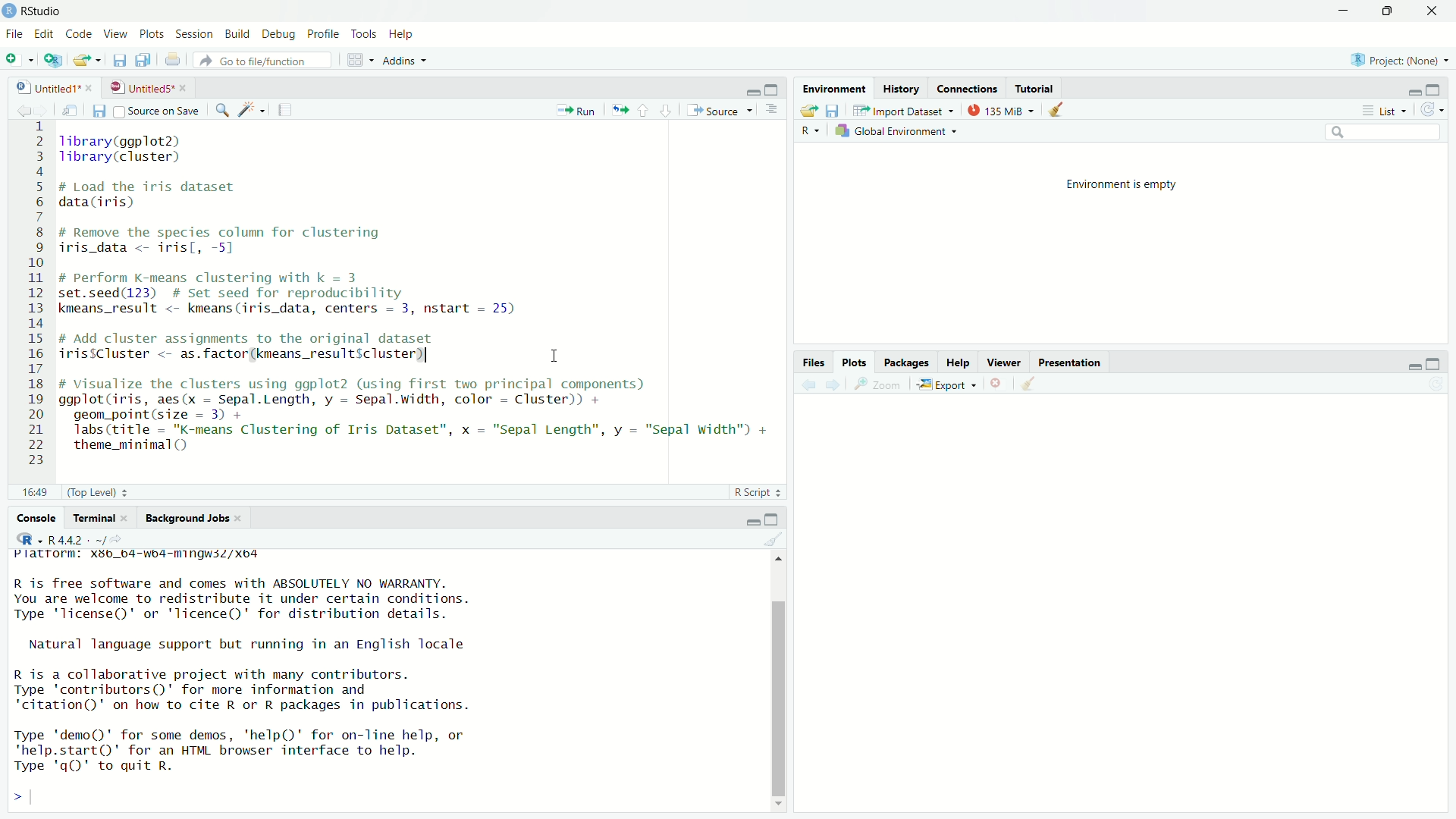 The width and height of the screenshot is (1456, 819). I want to click on clear console, so click(771, 540).